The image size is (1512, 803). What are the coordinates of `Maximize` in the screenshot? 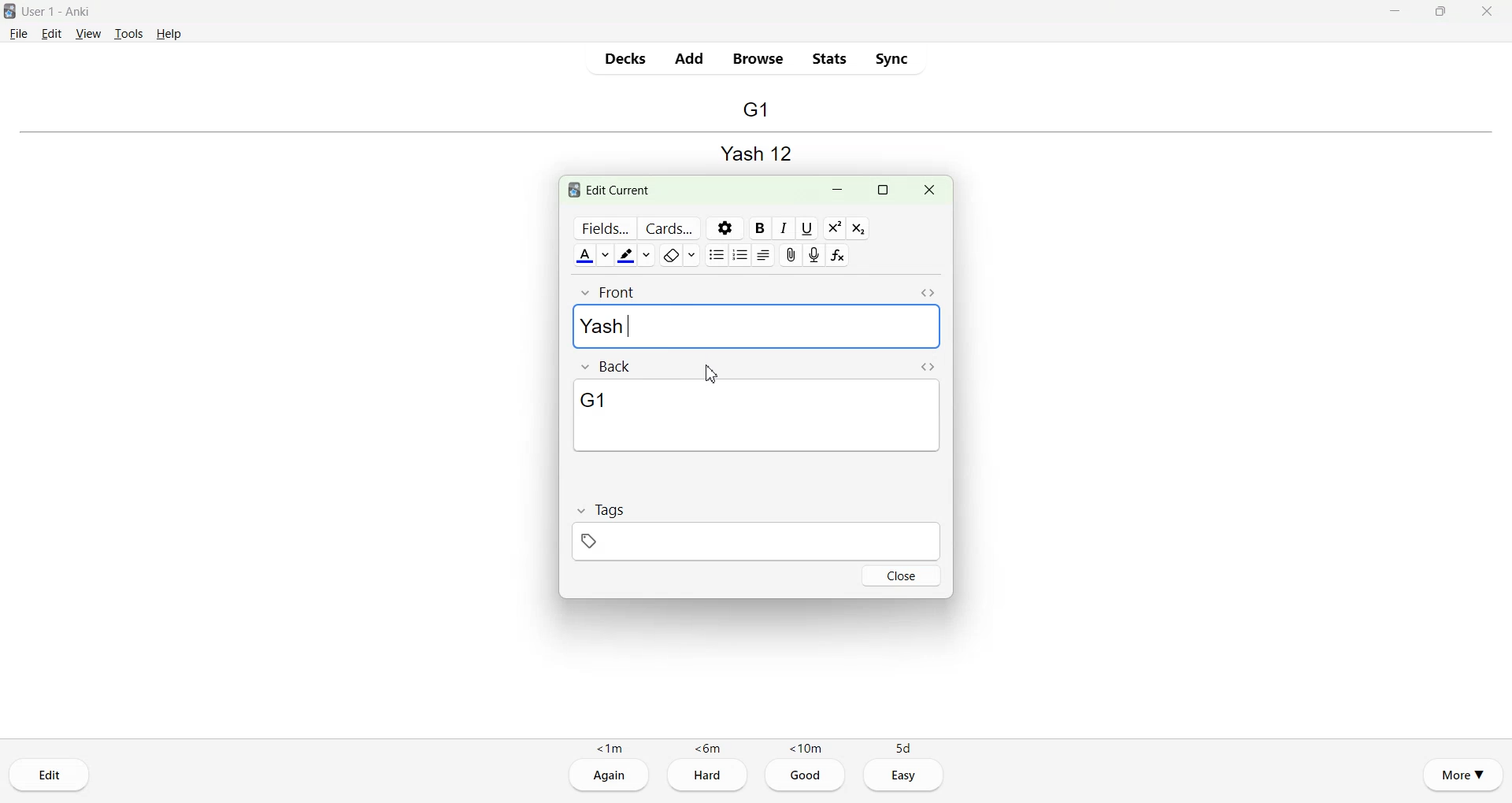 It's located at (1440, 11).